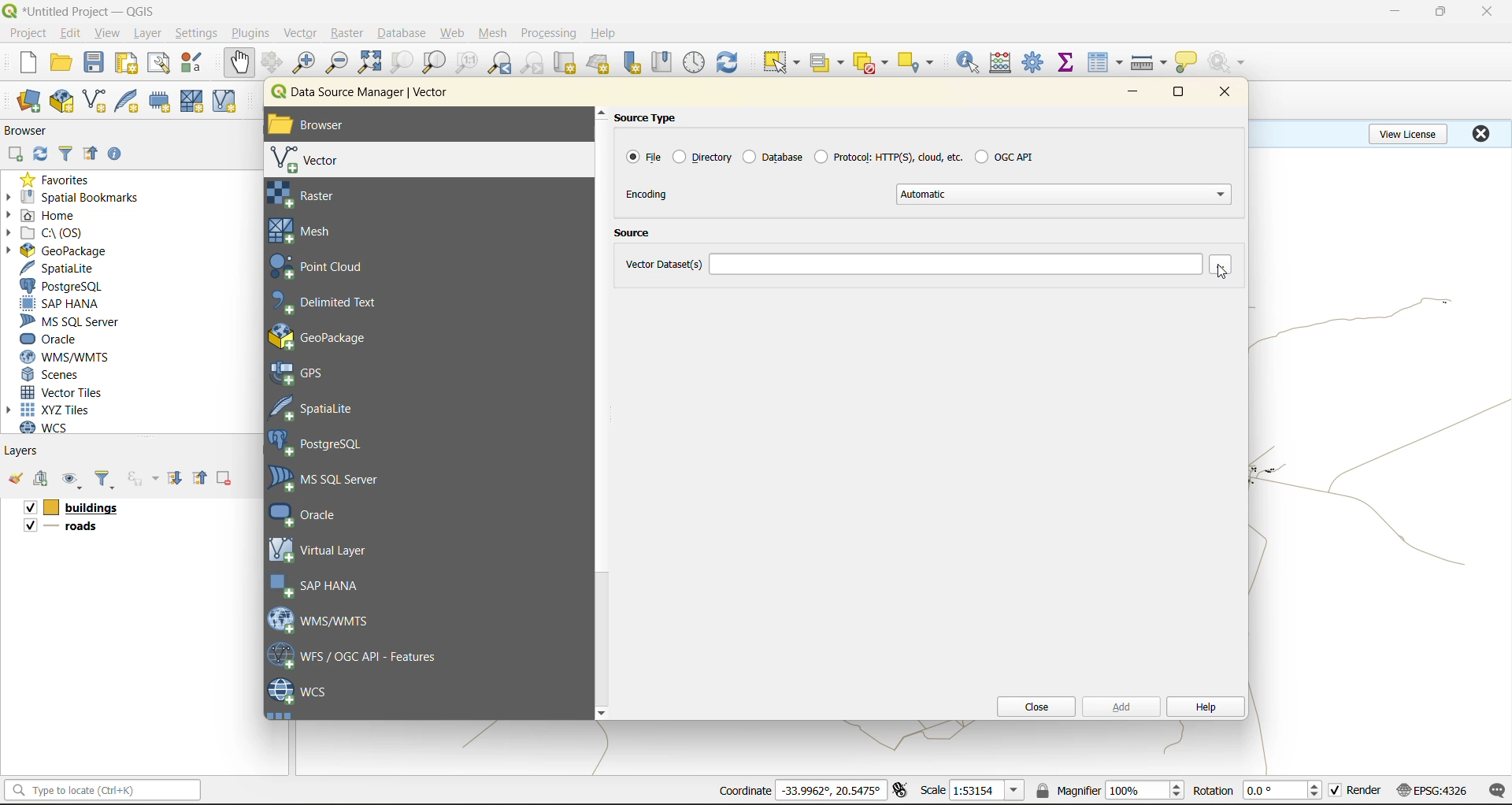  What do you see at coordinates (324, 127) in the screenshot?
I see `browser` at bounding box center [324, 127].